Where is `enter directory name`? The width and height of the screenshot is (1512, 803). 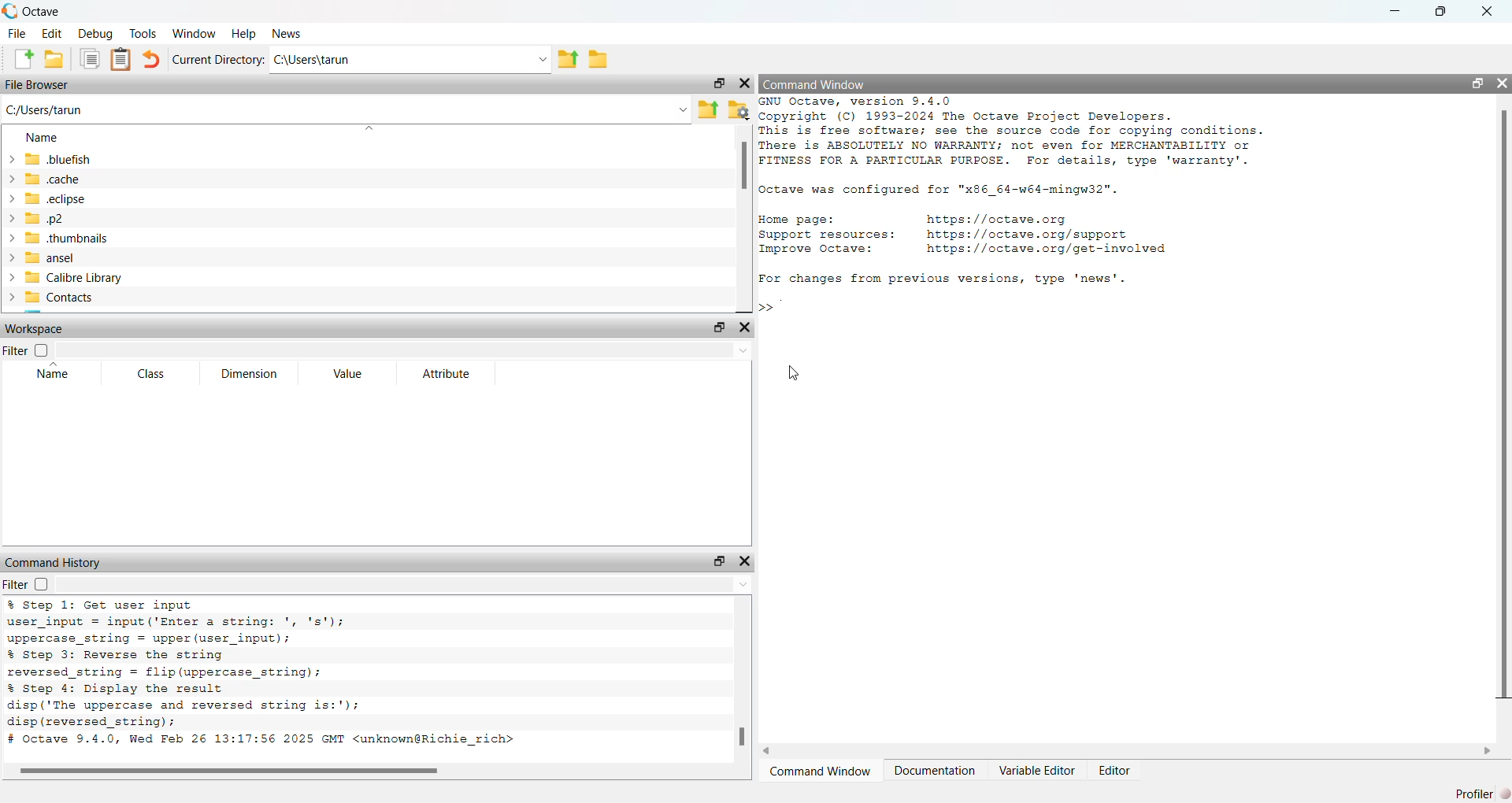
enter directory name is located at coordinates (413, 57).